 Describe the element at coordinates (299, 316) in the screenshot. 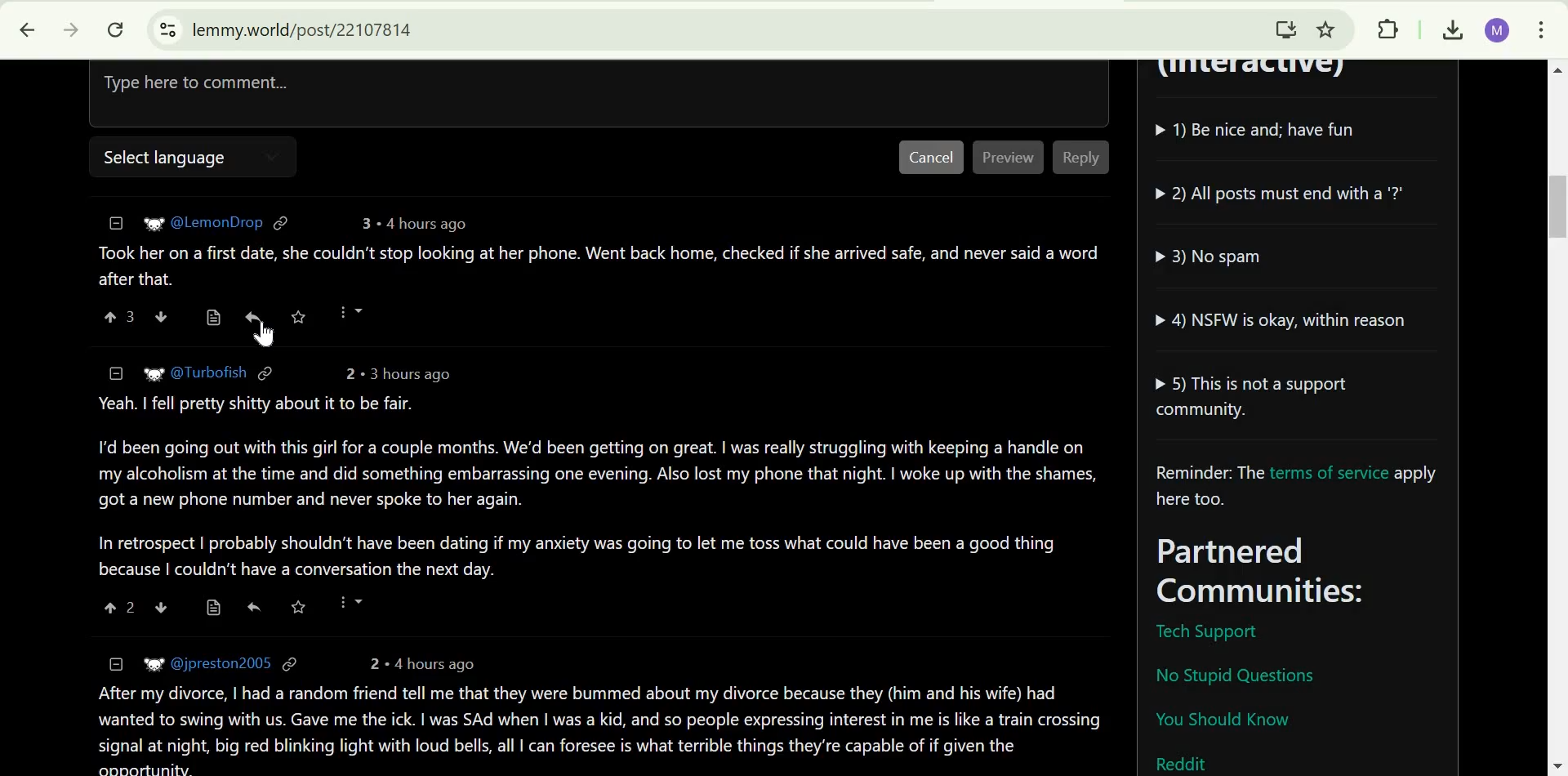

I see `save` at that location.